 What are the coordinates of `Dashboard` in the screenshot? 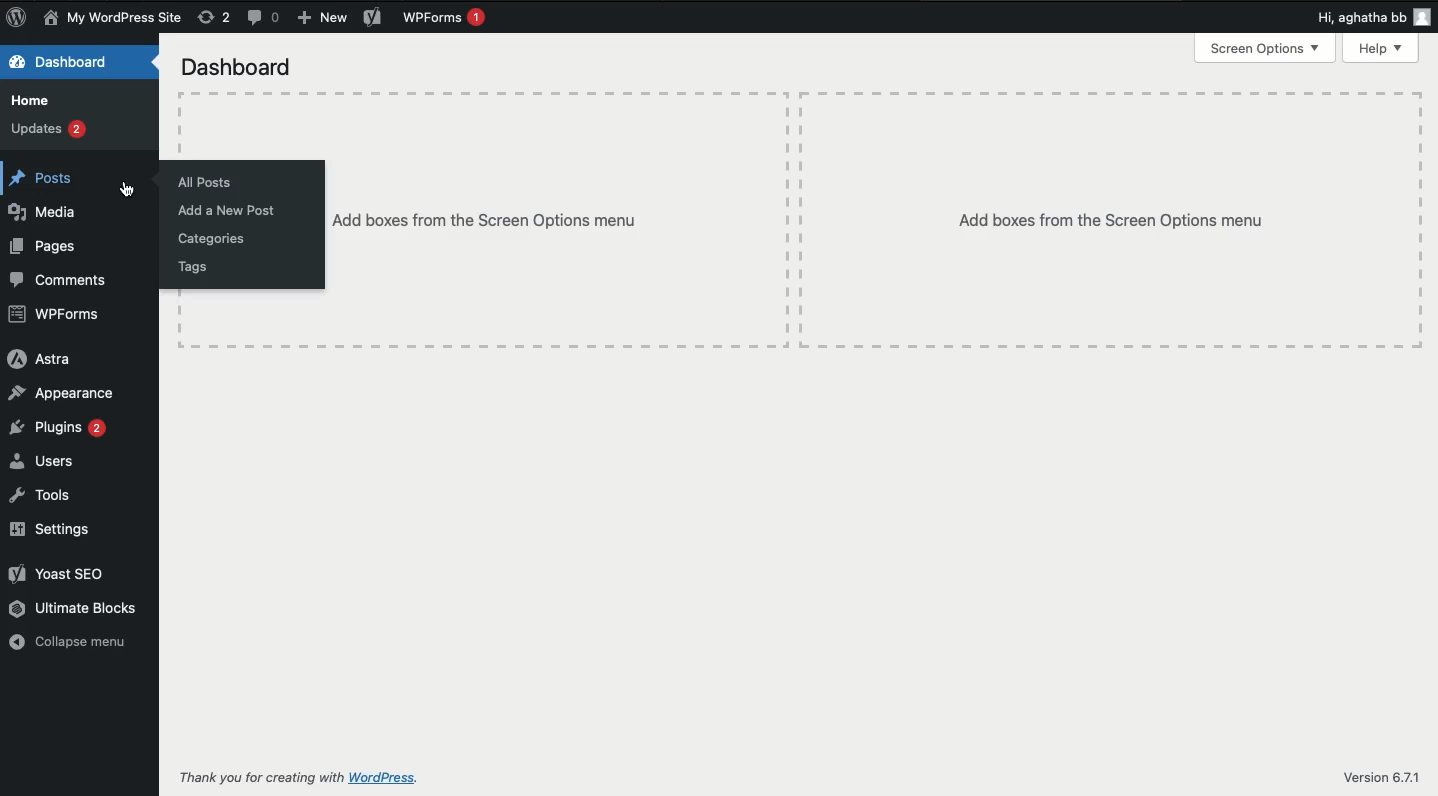 It's located at (61, 64).